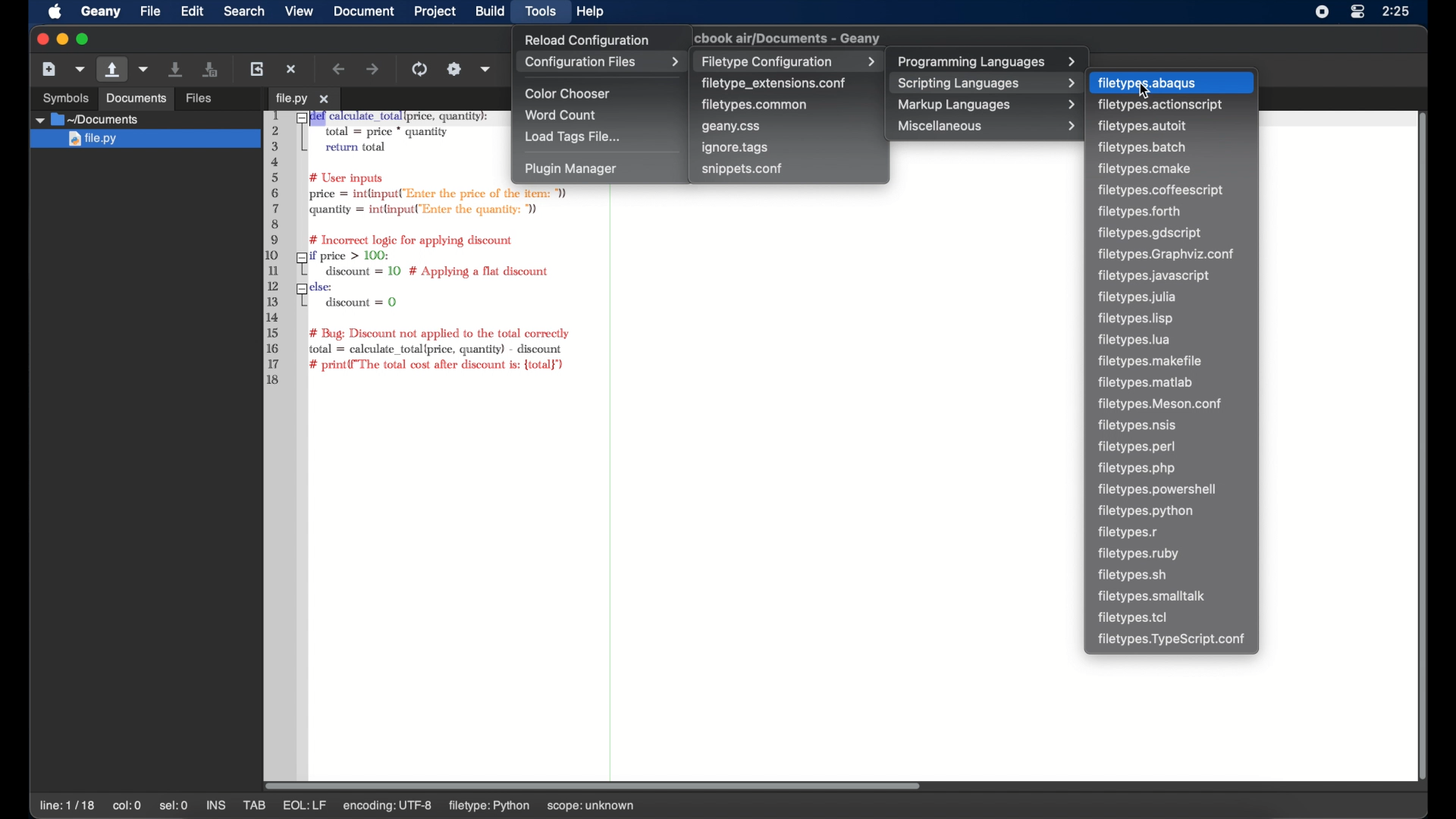 This screenshot has height=819, width=1456. What do you see at coordinates (101, 12) in the screenshot?
I see `geany` at bounding box center [101, 12].